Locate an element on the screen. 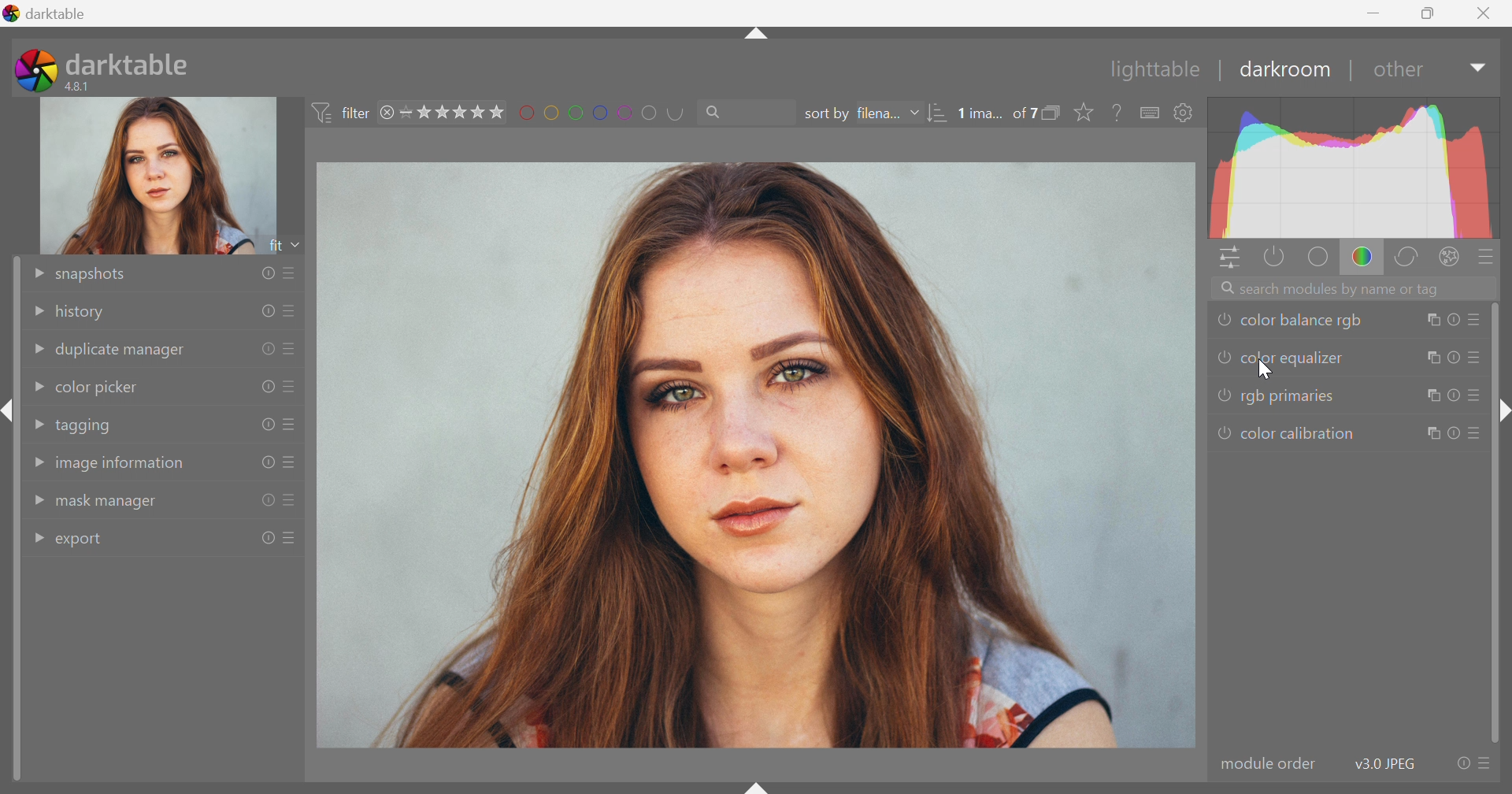  show only active modules is located at coordinates (1273, 256).